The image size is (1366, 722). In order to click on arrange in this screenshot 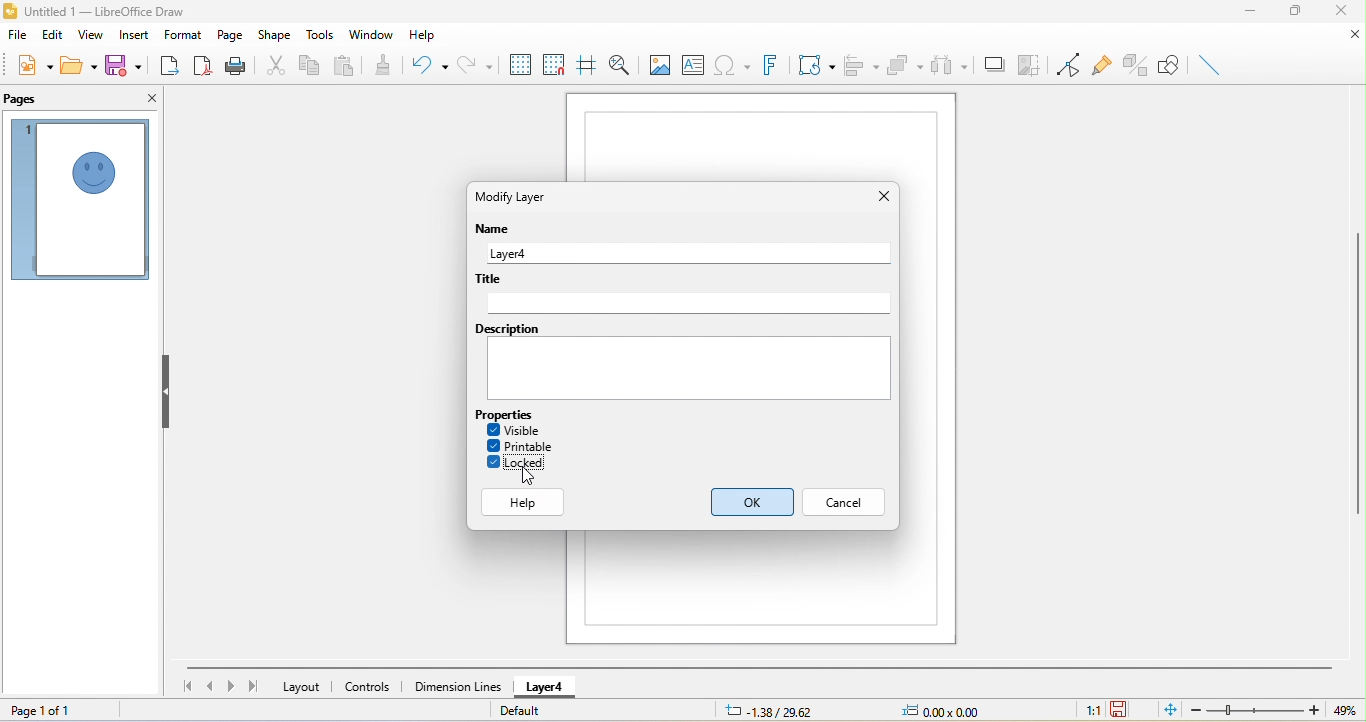, I will do `click(906, 65)`.